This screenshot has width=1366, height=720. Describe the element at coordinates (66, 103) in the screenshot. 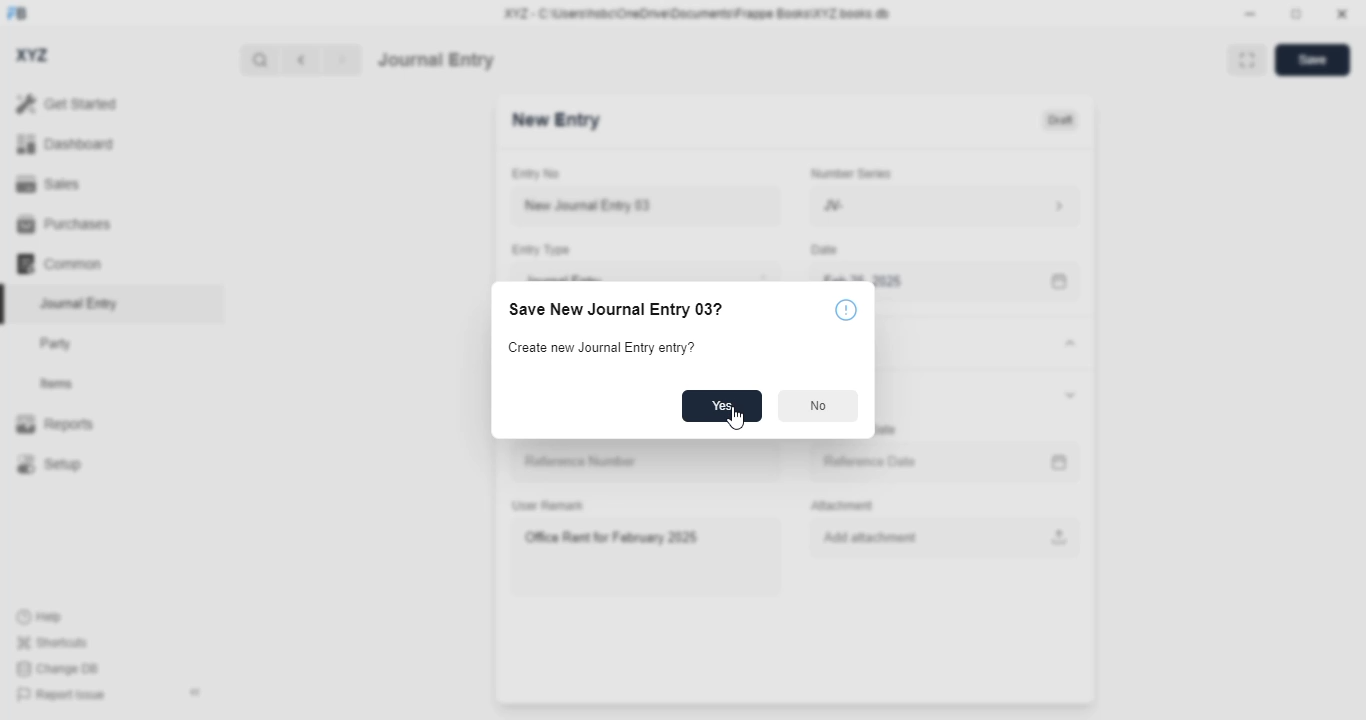

I see `get started` at that location.